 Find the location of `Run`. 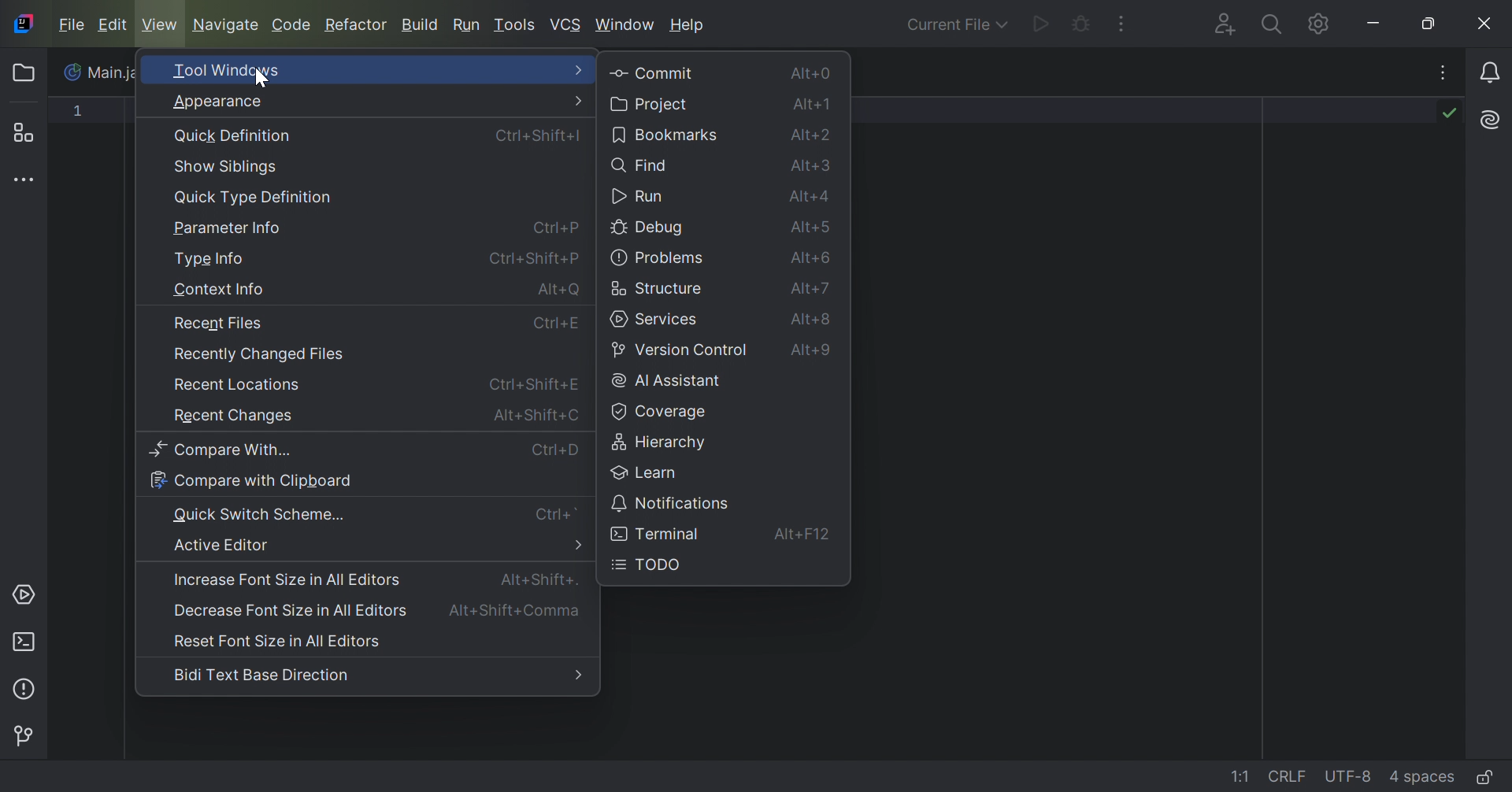

Run is located at coordinates (639, 197).